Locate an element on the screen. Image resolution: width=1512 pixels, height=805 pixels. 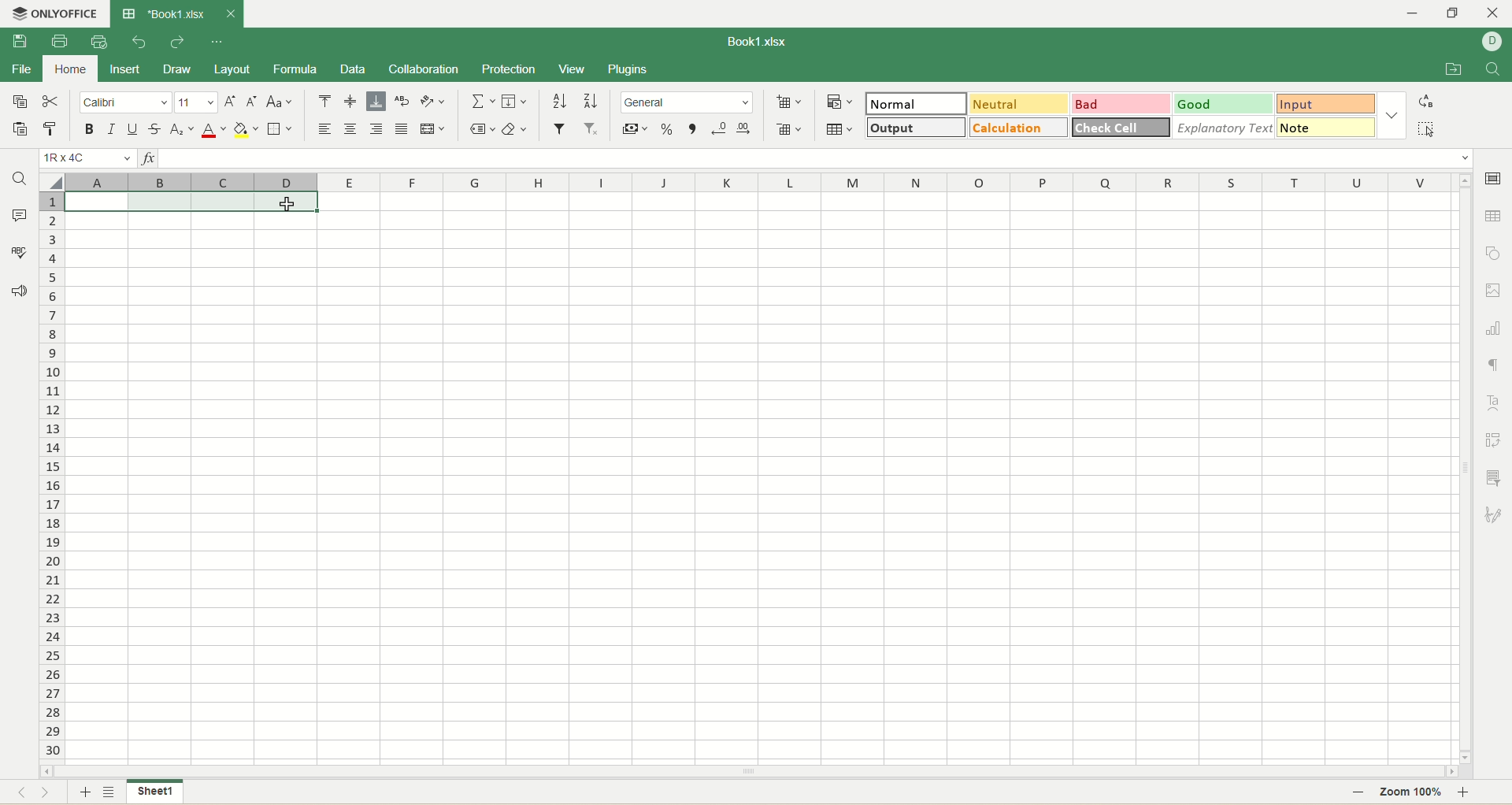
decrease decimal is located at coordinates (716, 128).